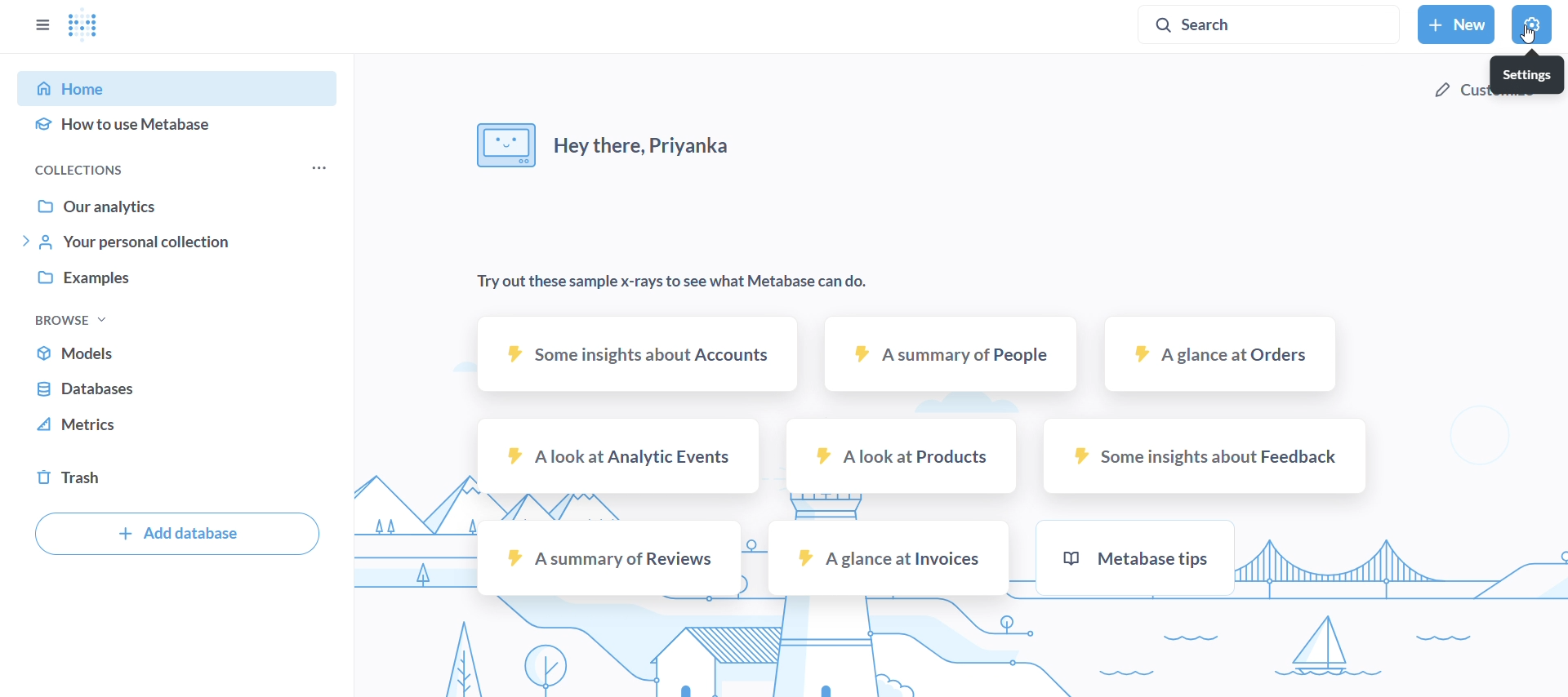  I want to click on new, so click(1453, 24).